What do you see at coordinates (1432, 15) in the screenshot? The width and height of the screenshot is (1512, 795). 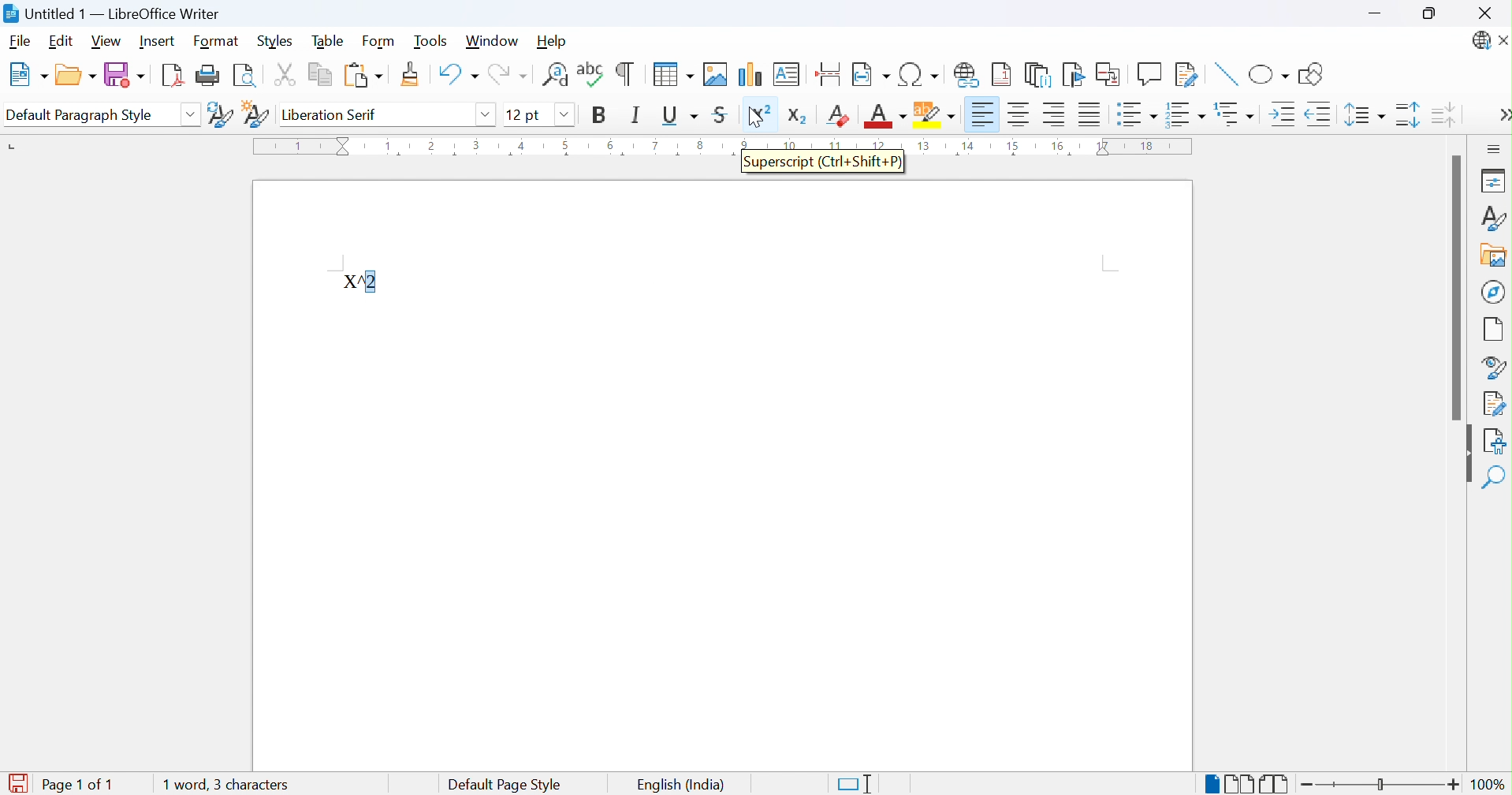 I see `Restore down` at bounding box center [1432, 15].